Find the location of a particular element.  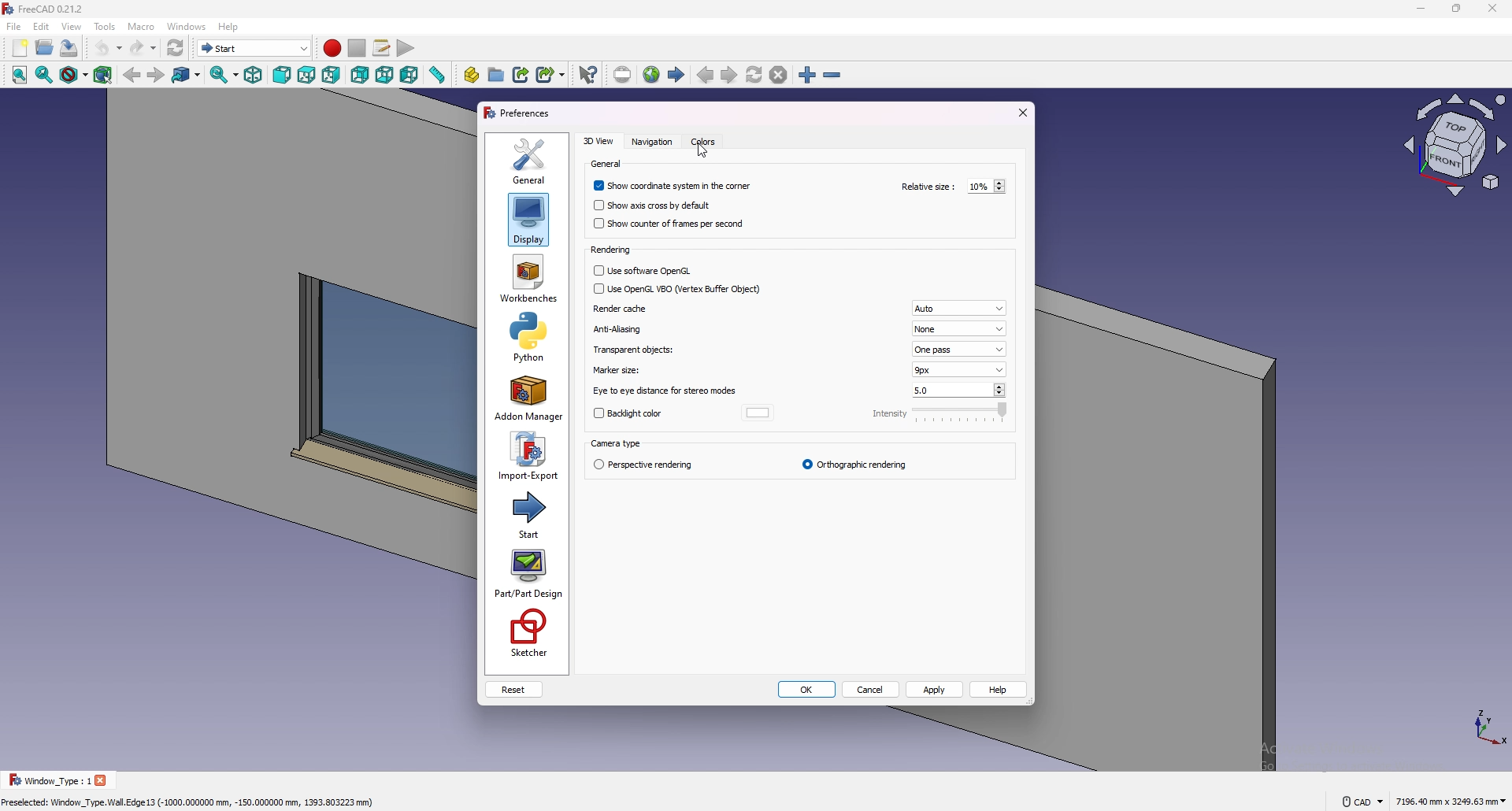

stop recording macros is located at coordinates (357, 48).